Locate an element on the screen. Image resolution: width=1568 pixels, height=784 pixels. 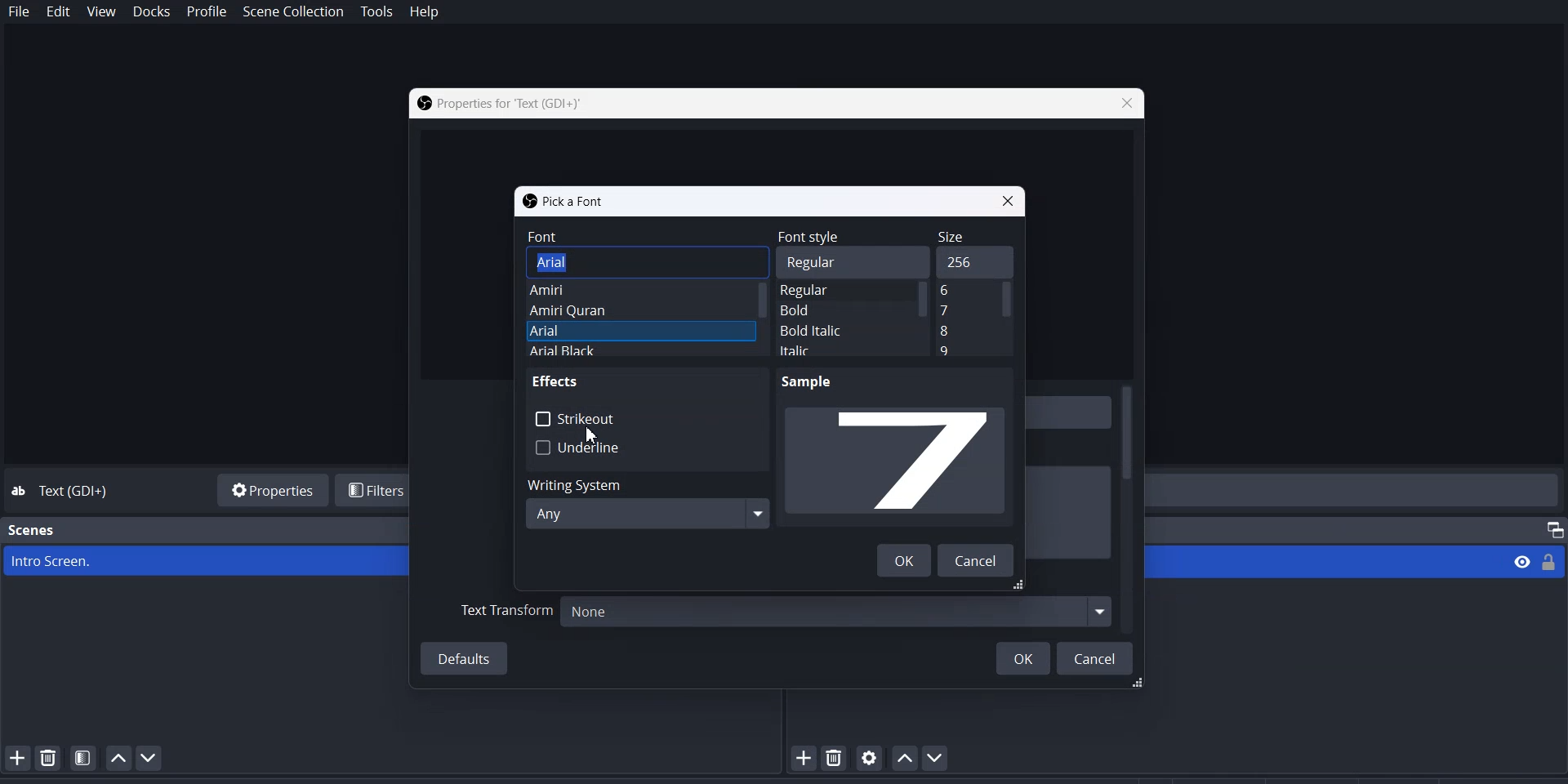
Font Style is located at coordinates (840, 236).